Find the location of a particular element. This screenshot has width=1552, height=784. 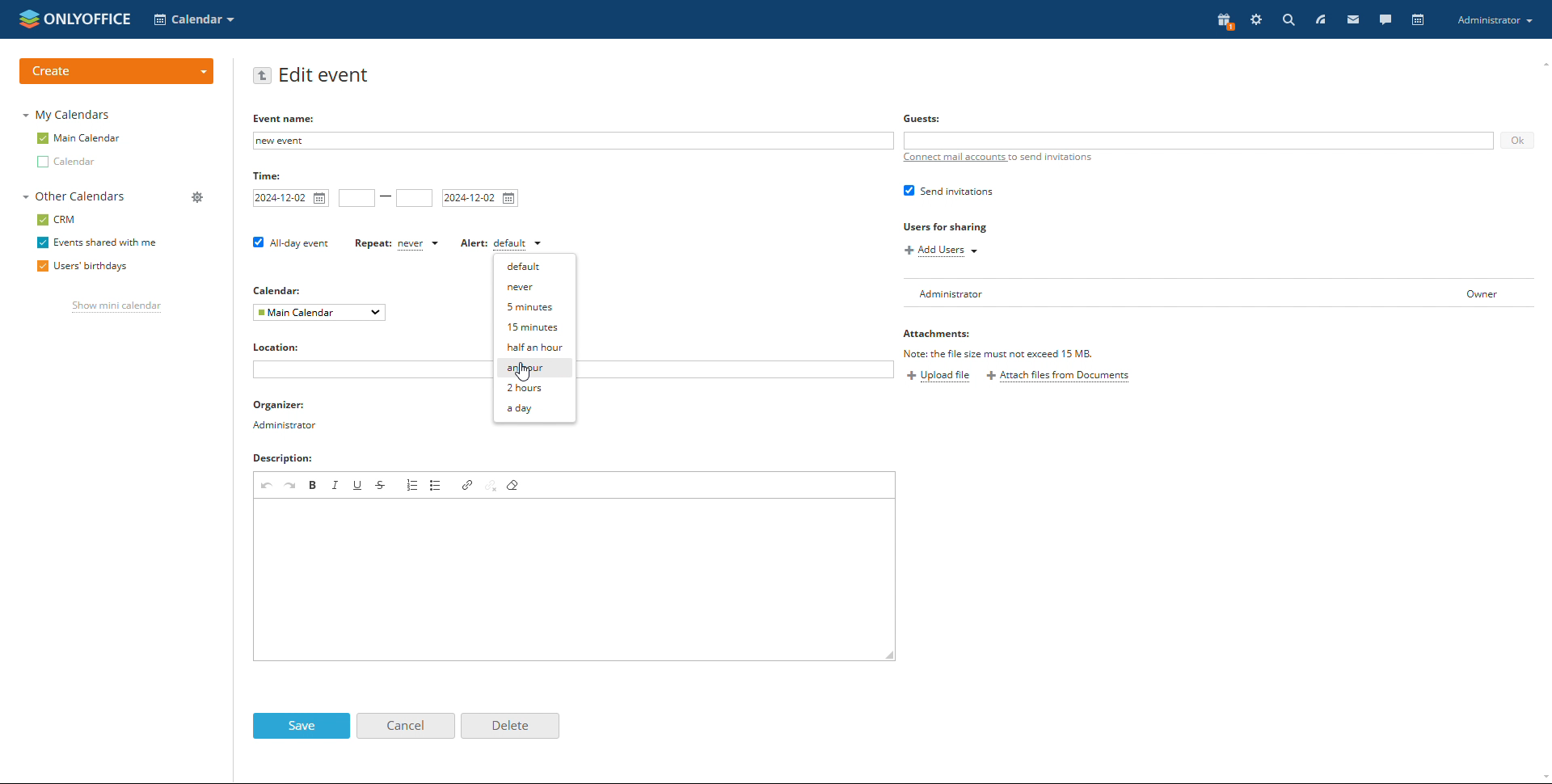

bold is located at coordinates (313, 485).